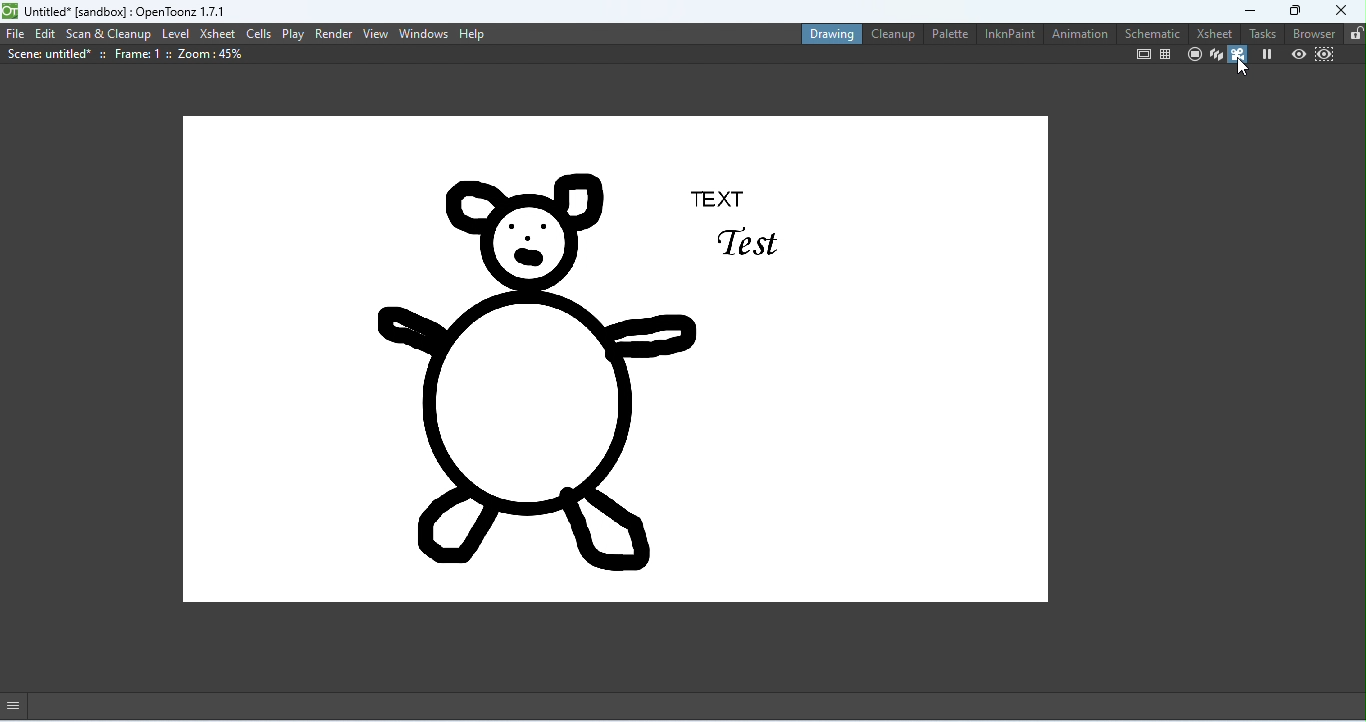  I want to click on field guide, so click(1166, 54).